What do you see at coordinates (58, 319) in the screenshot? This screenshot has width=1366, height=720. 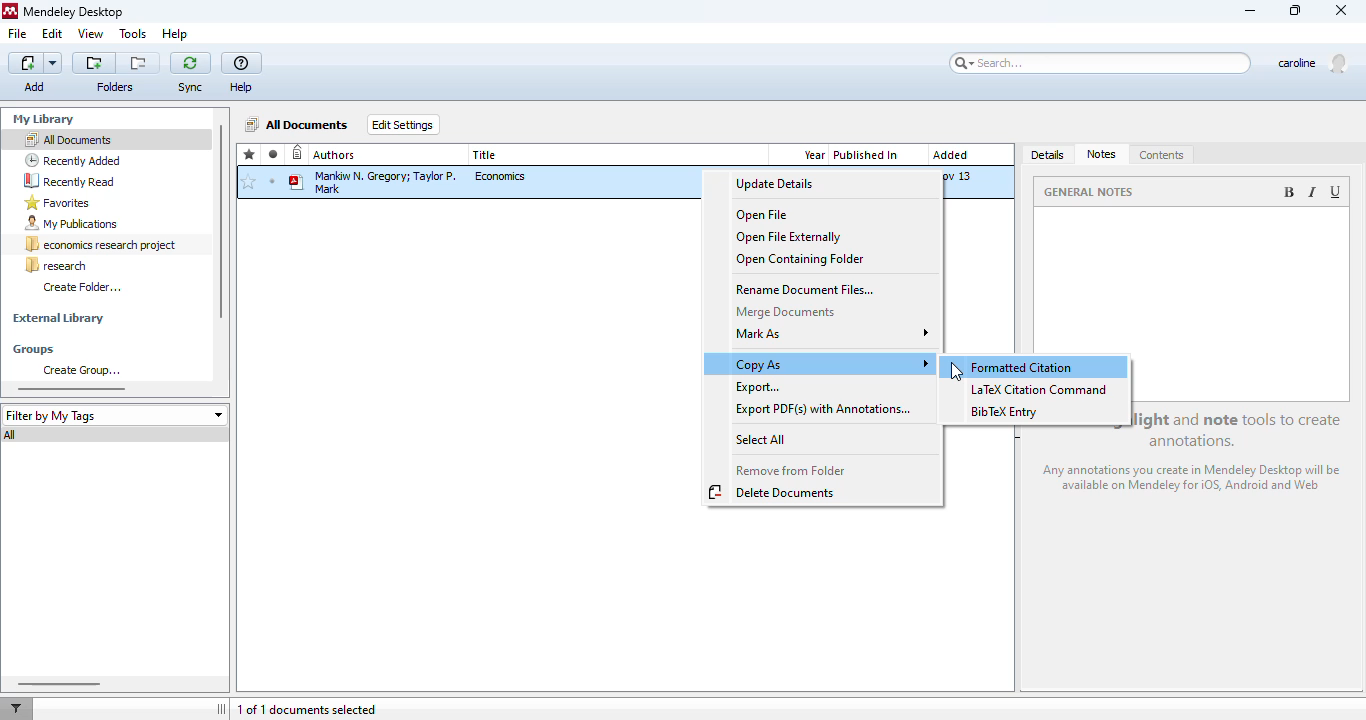 I see `external library` at bounding box center [58, 319].